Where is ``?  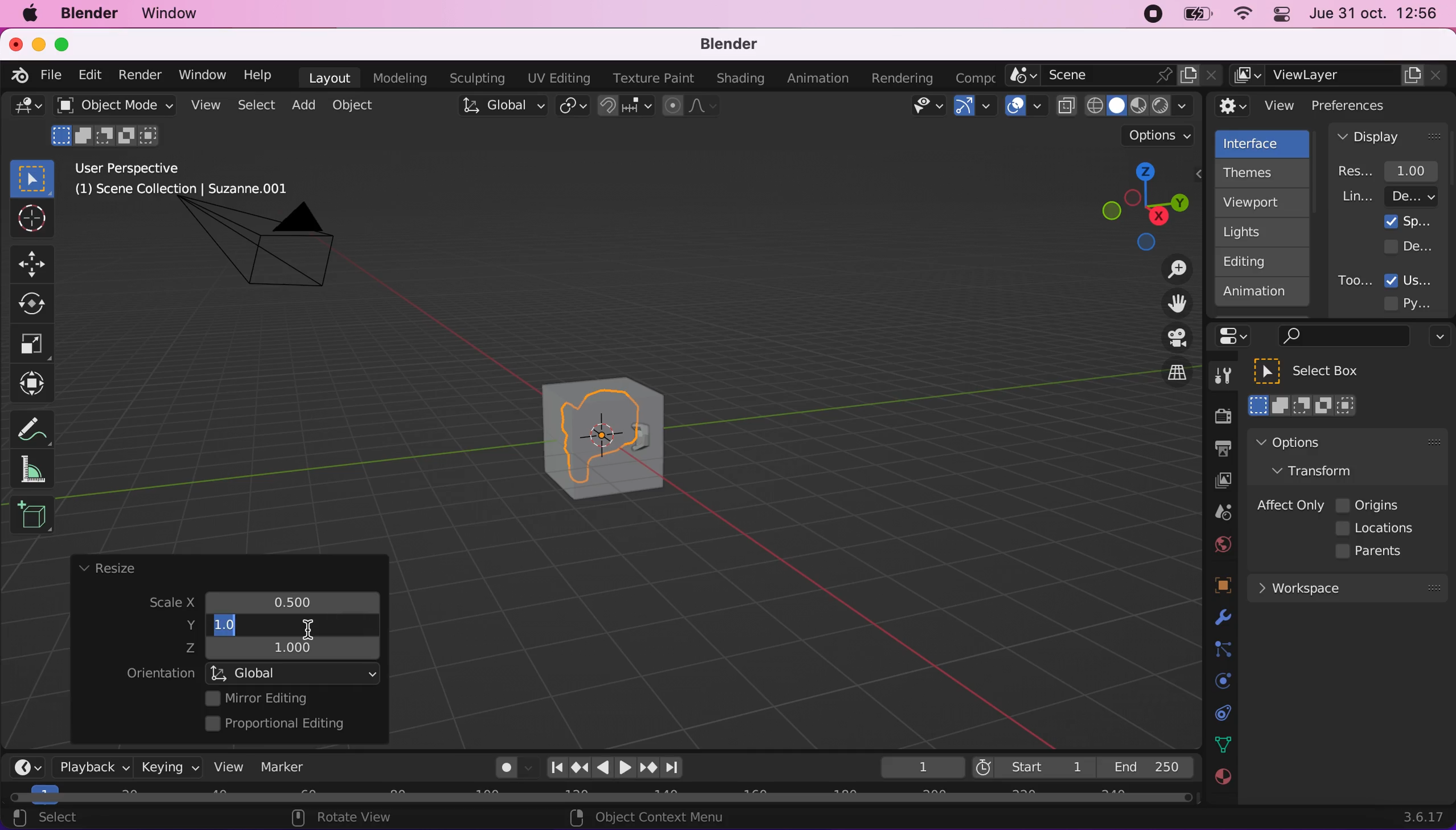
 is located at coordinates (37, 262).